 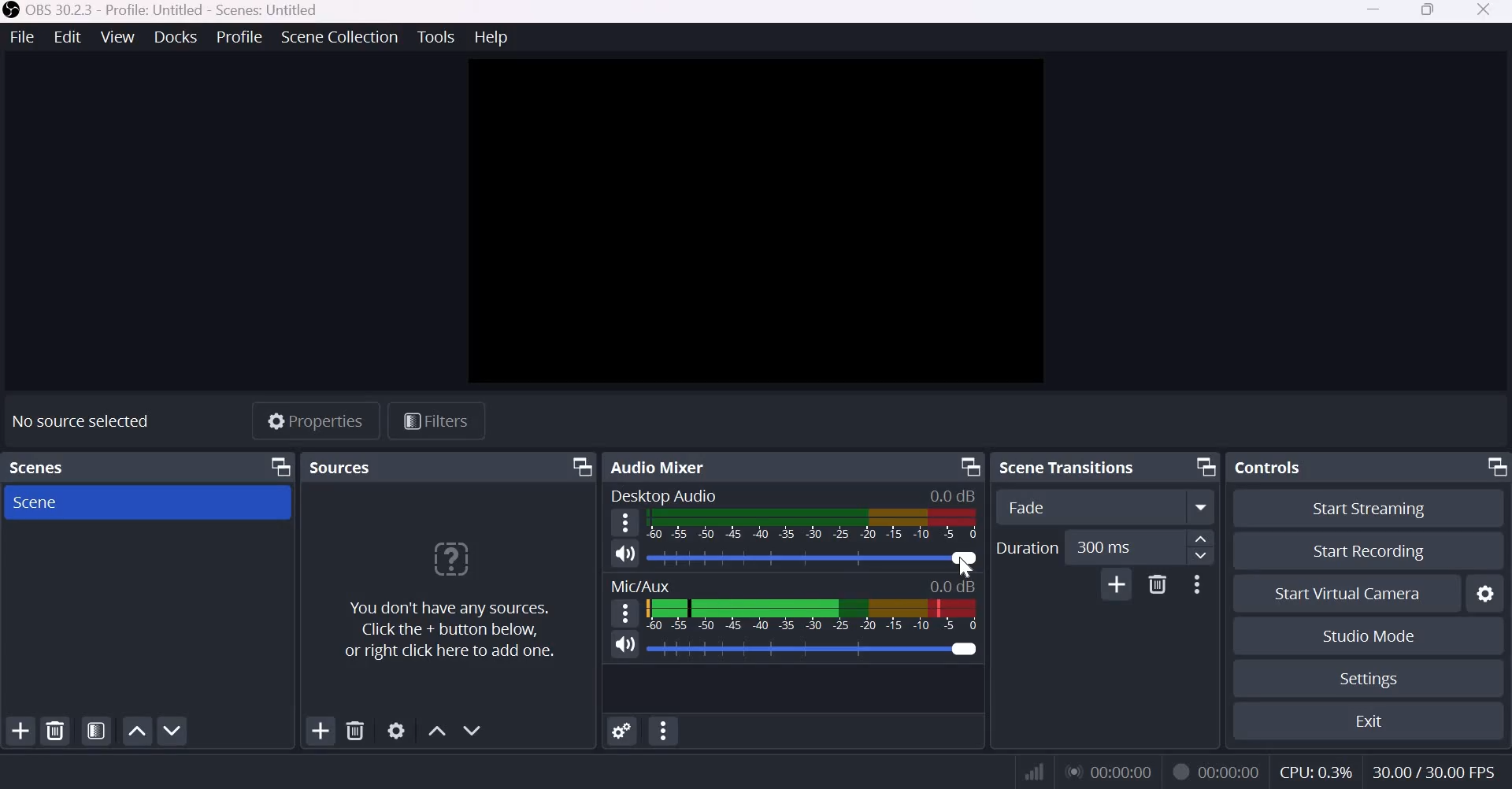 What do you see at coordinates (813, 557) in the screenshot?
I see `Audio slider` at bounding box center [813, 557].